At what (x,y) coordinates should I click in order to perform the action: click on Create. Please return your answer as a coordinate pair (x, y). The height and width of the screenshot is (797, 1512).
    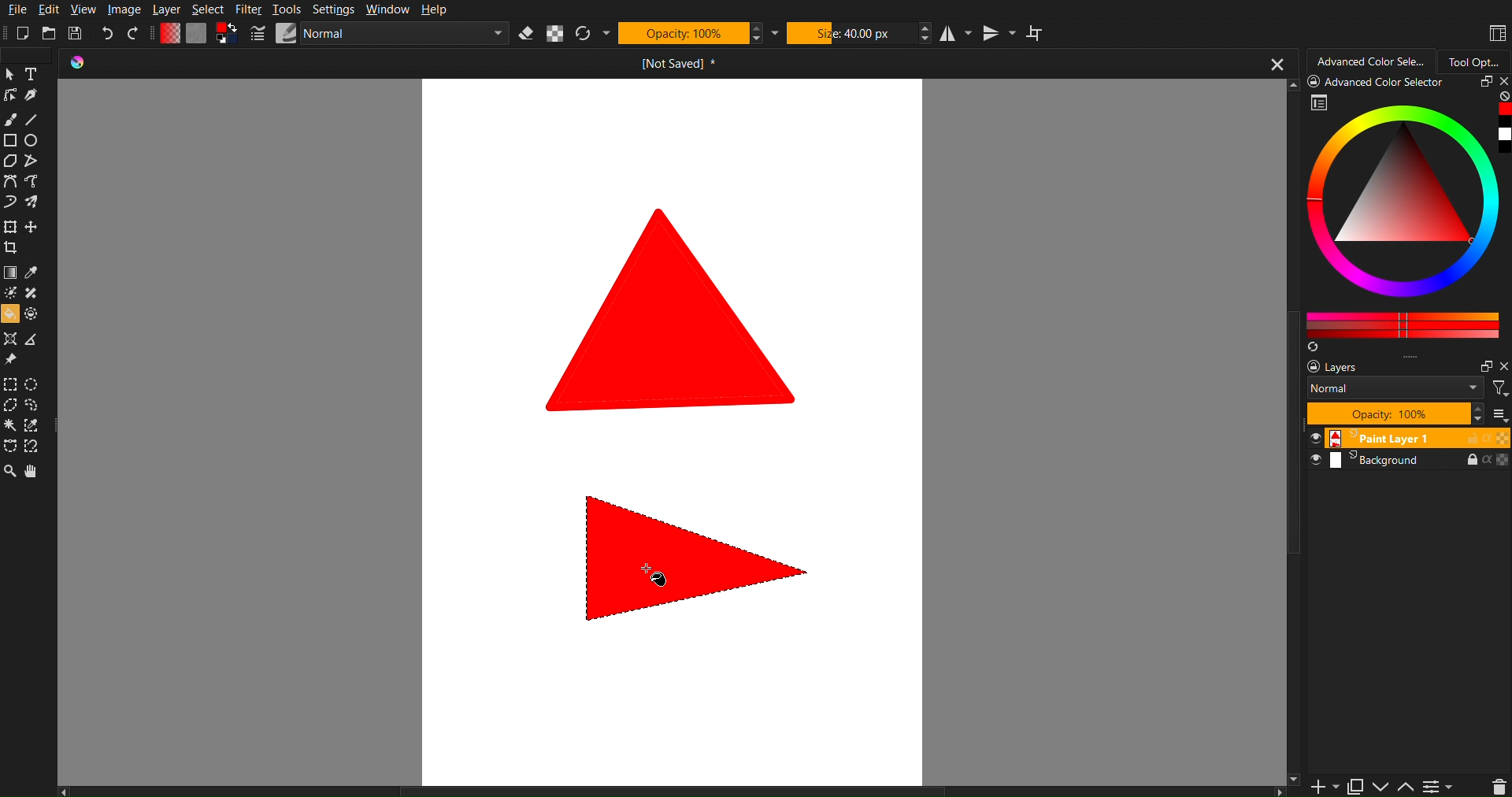
    Looking at the image, I should click on (33, 228).